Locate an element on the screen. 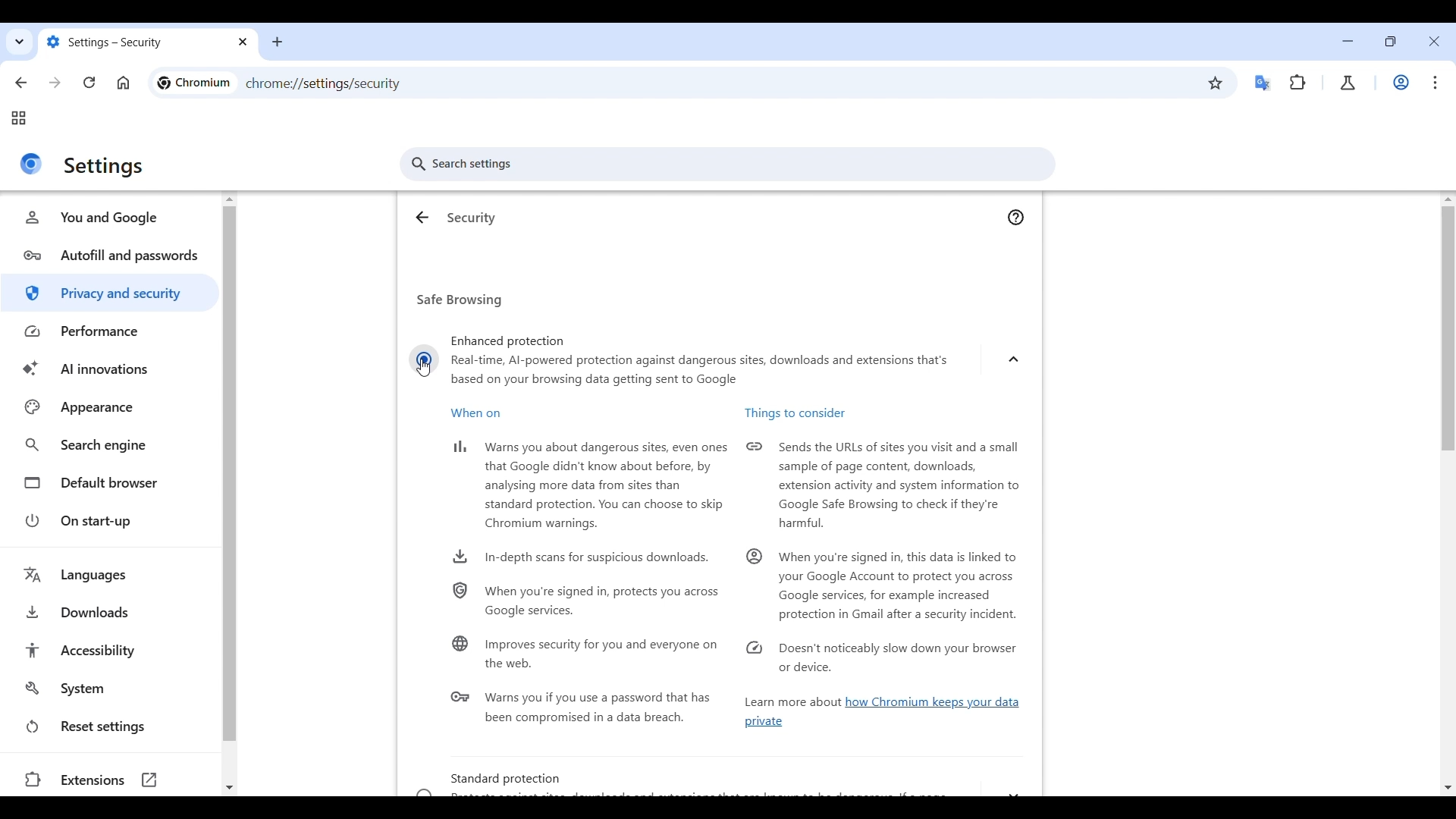 The height and width of the screenshot is (819, 1456). settings is located at coordinates (104, 167).